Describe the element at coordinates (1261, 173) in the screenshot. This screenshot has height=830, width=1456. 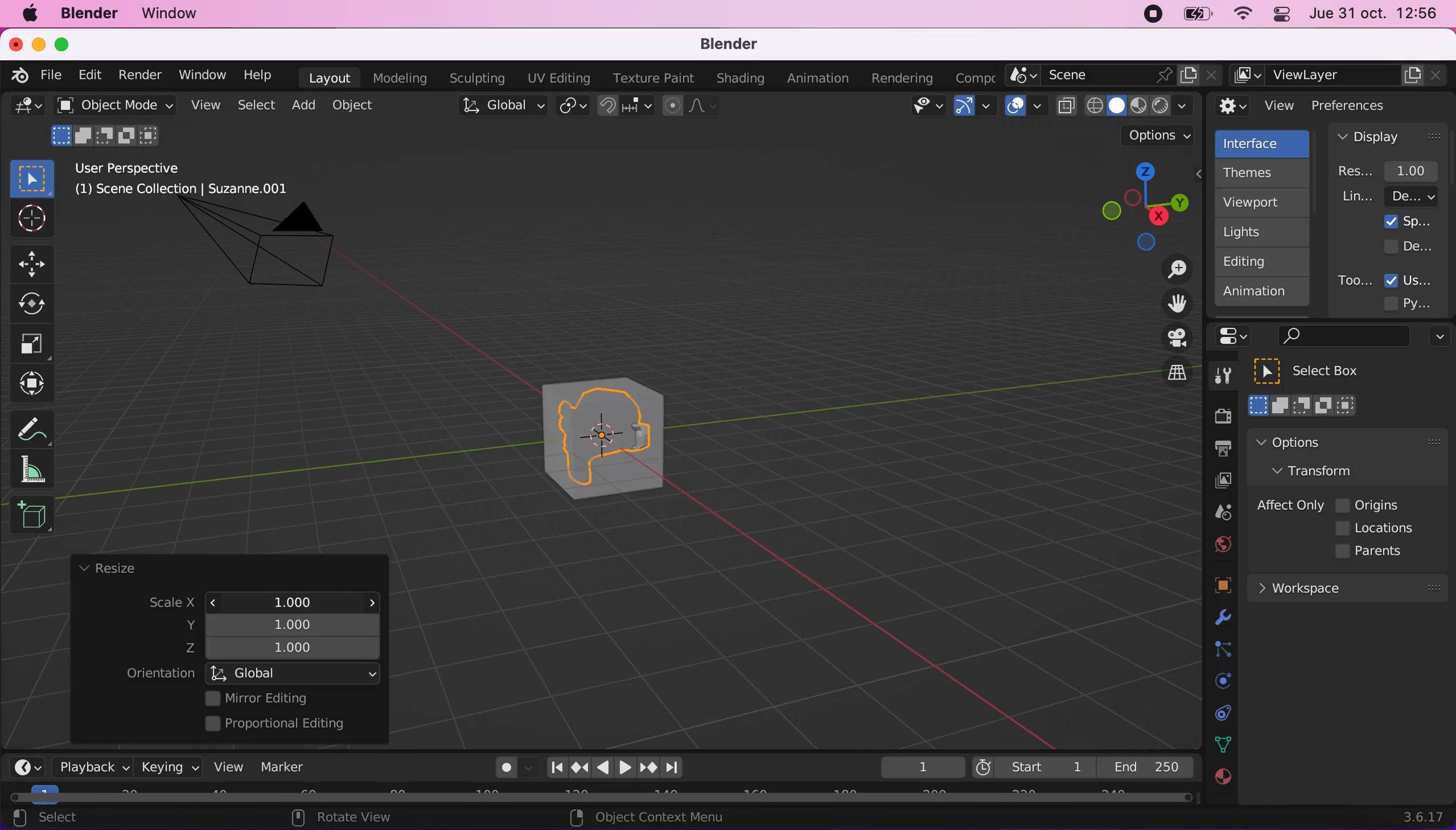
I see `themes` at that location.